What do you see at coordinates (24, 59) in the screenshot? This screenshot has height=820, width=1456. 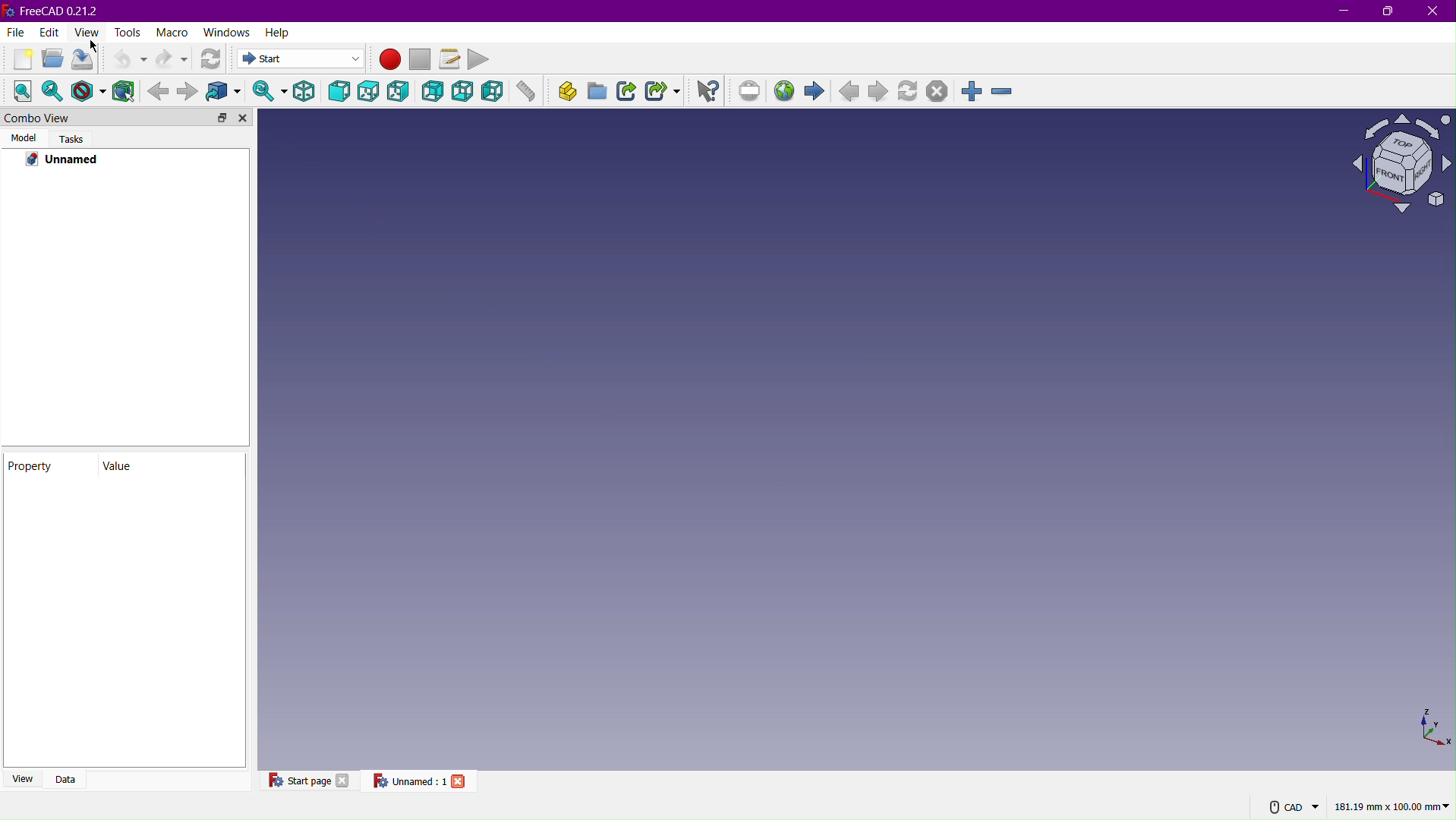 I see `New` at bounding box center [24, 59].